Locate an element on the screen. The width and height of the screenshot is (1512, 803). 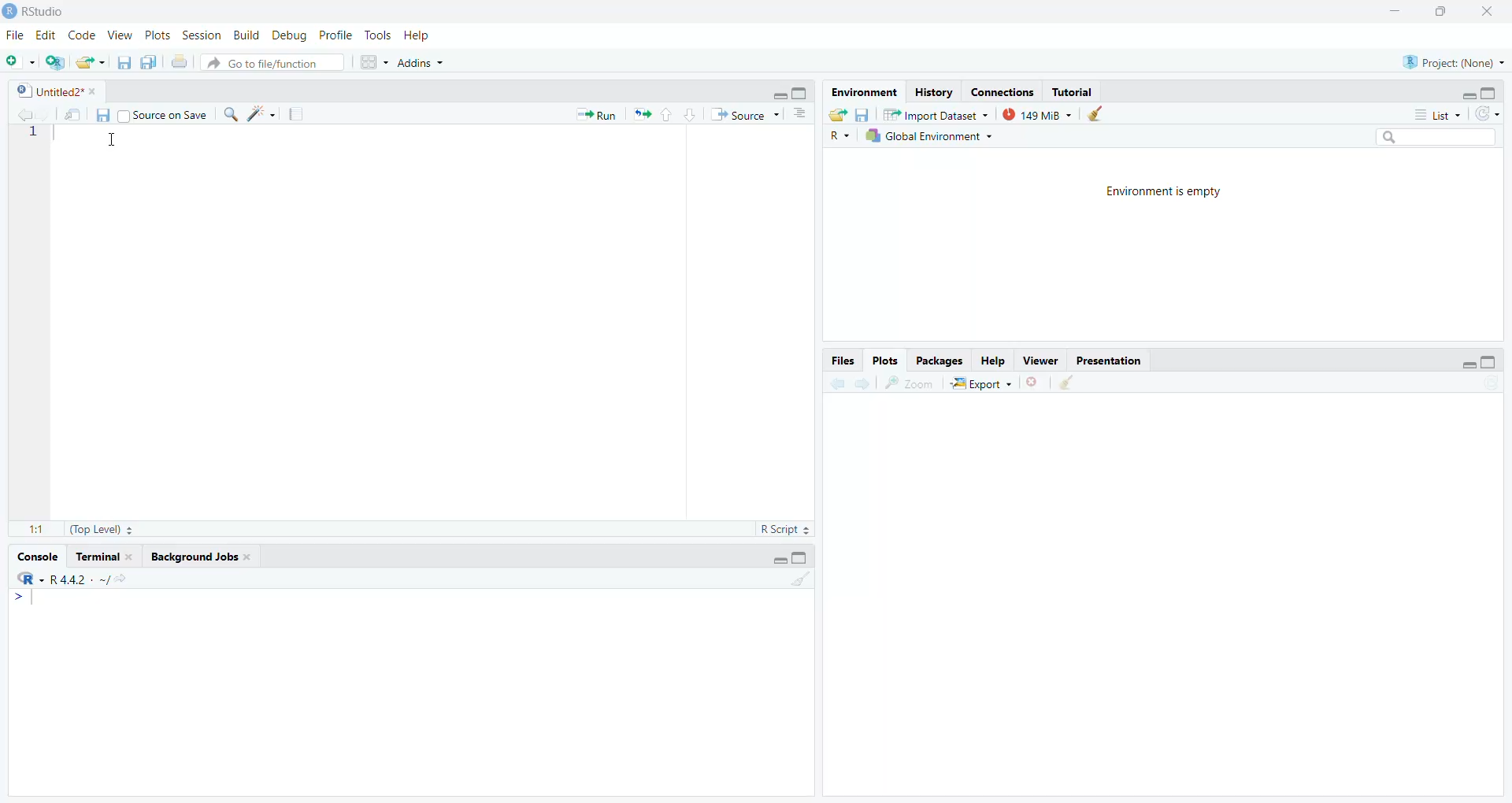
Go forward to the next source location (Ctrl + F10) is located at coordinates (863, 383).